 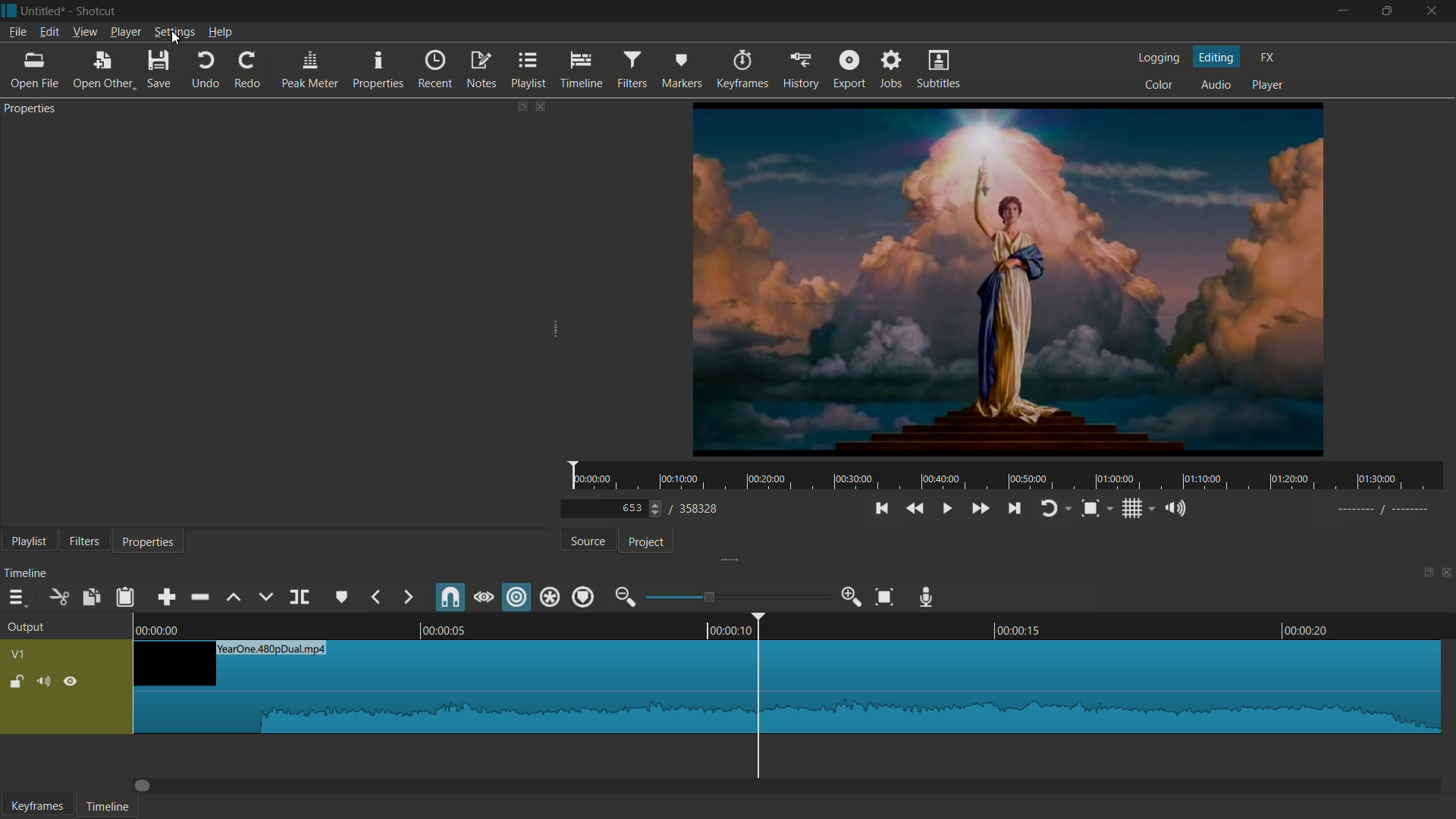 I want to click on minimize, so click(x=1341, y=11).